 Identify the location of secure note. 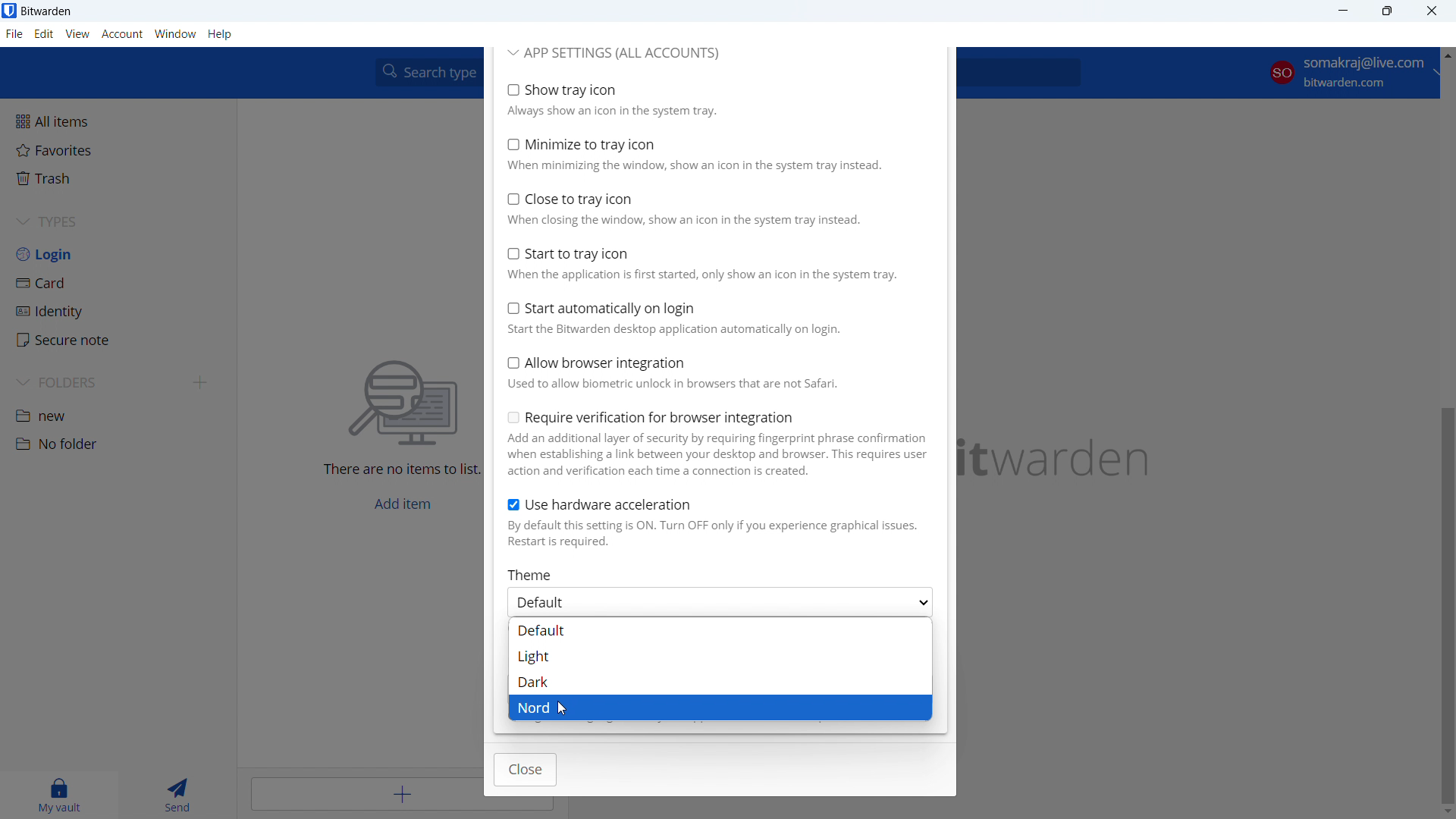
(118, 340).